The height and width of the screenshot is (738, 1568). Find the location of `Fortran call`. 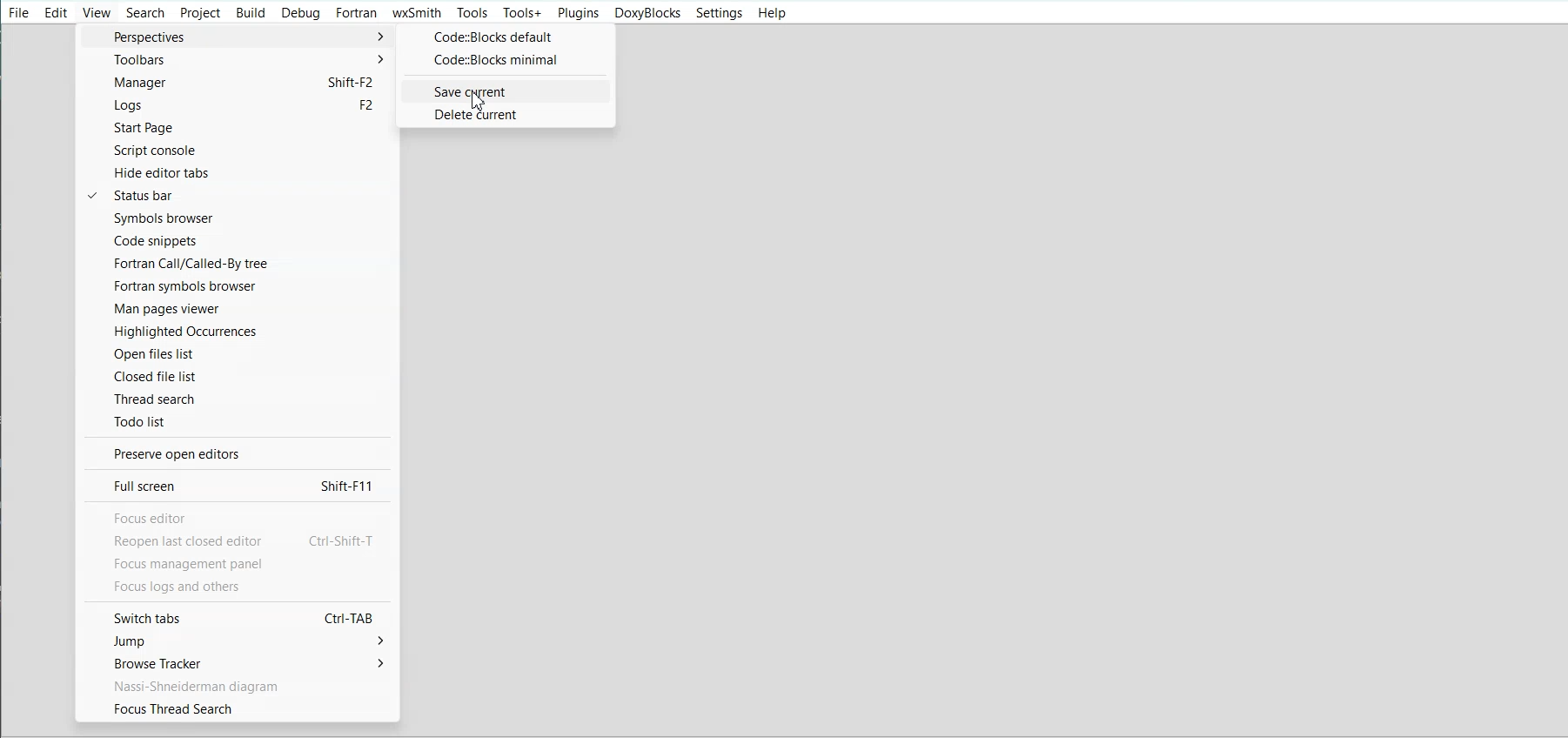

Fortran call is located at coordinates (237, 263).